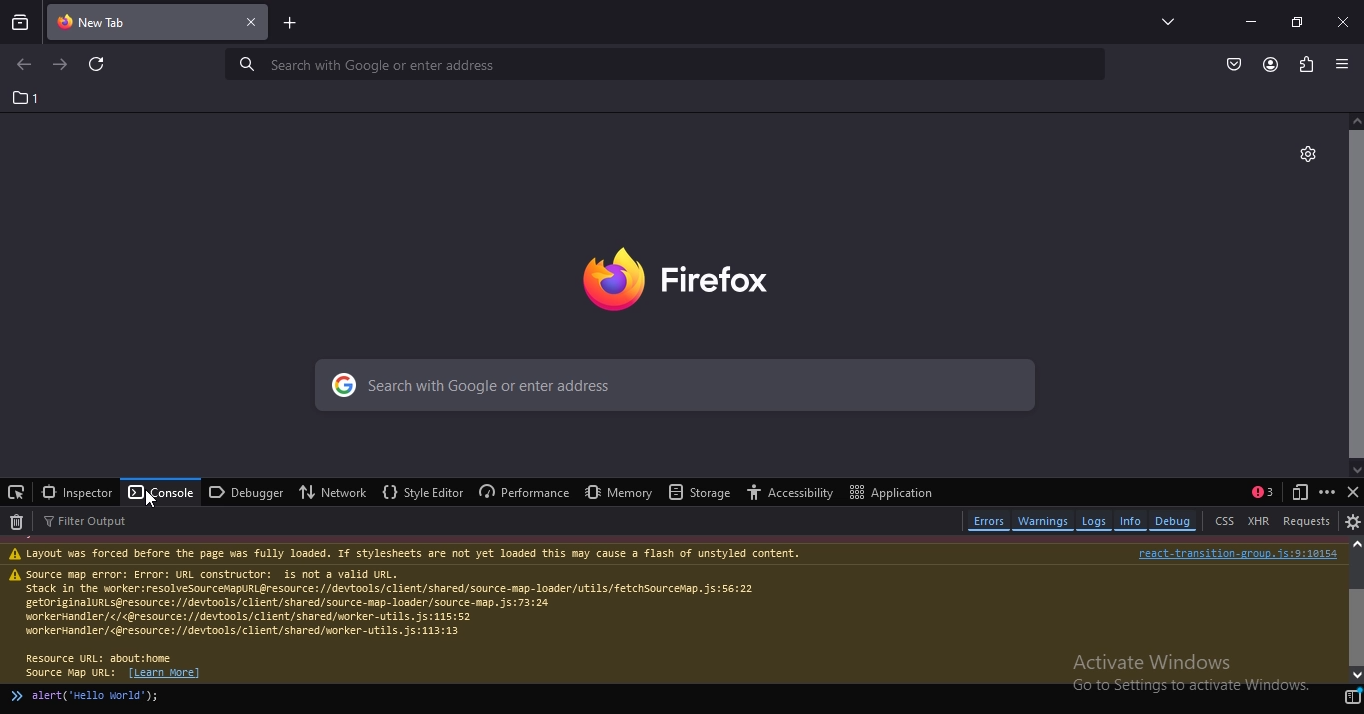  Describe the element at coordinates (251, 23) in the screenshot. I see `close` at that location.